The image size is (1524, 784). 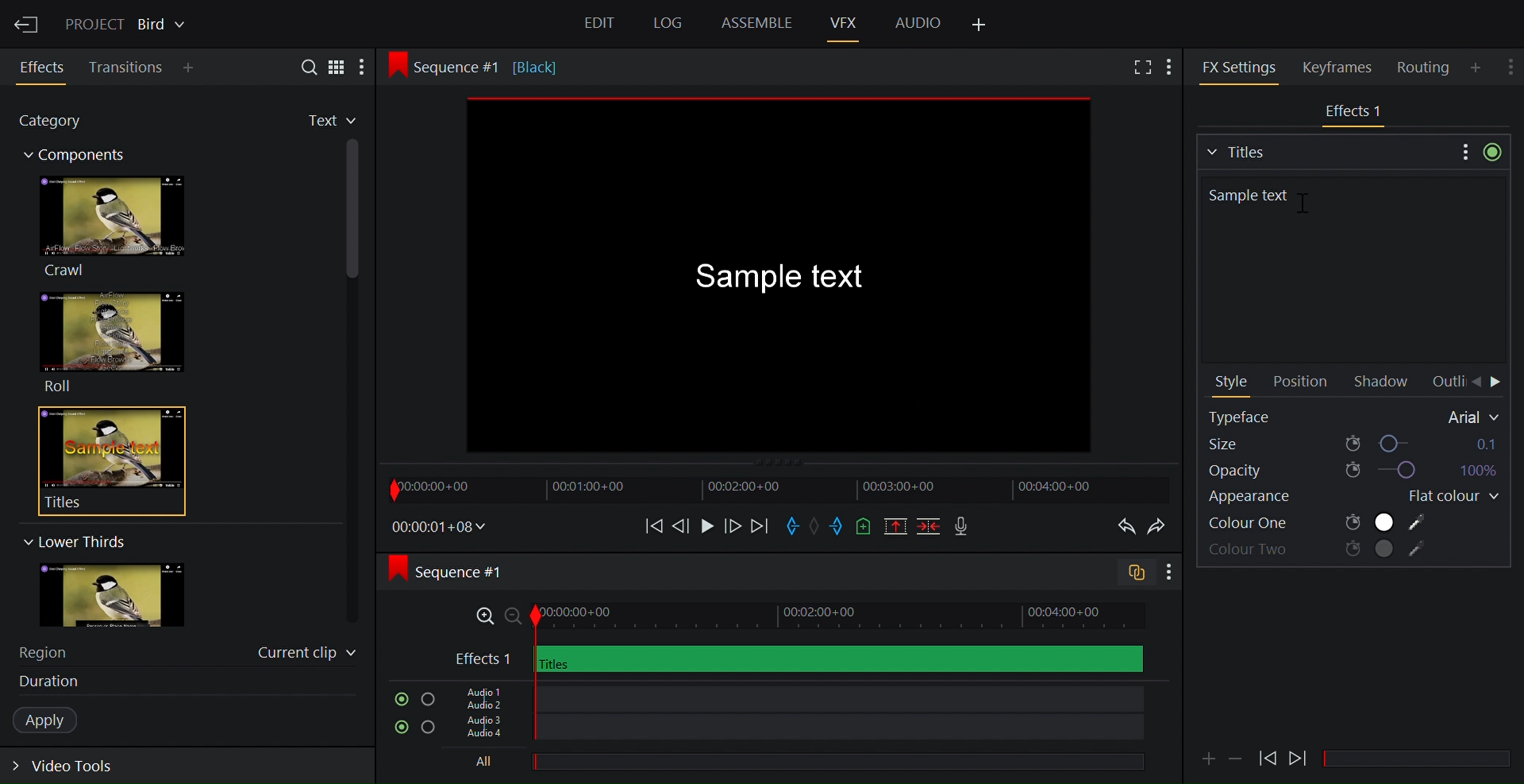 What do you see at coordinates (1355, 113) in the screenshot?
I see `Video Track Effects ` at bounding box center [1355, 113].